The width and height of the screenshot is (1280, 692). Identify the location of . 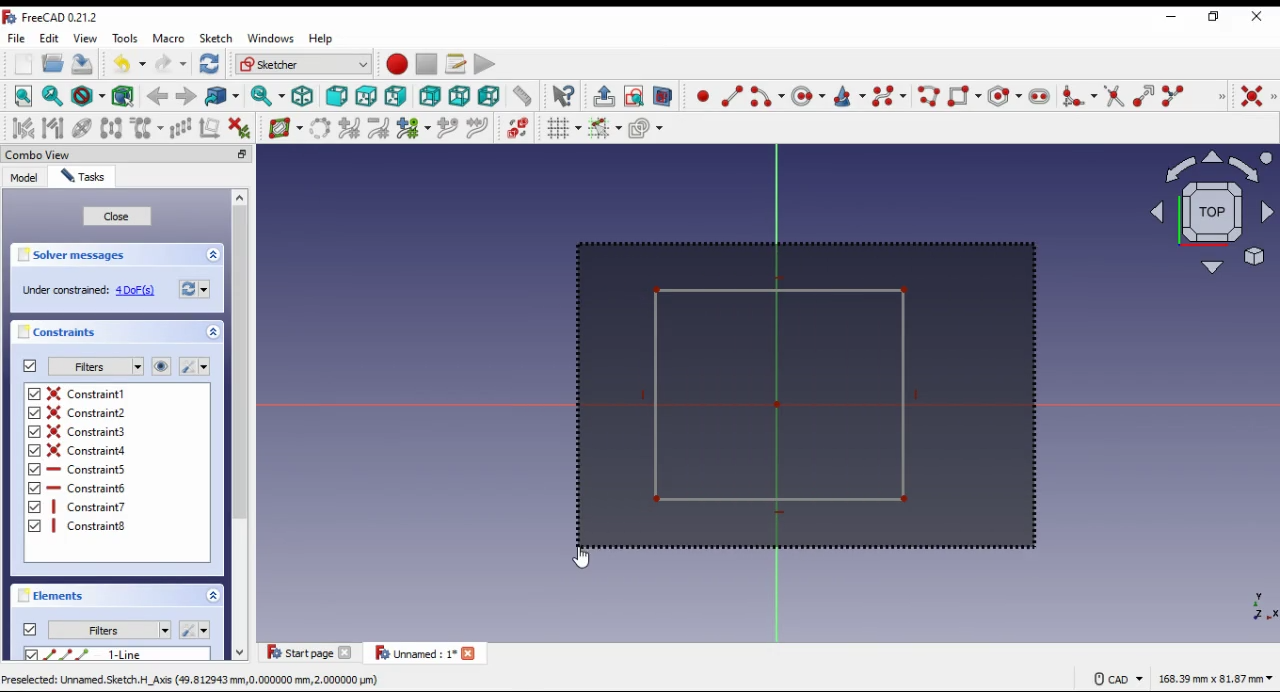
(267, 96).